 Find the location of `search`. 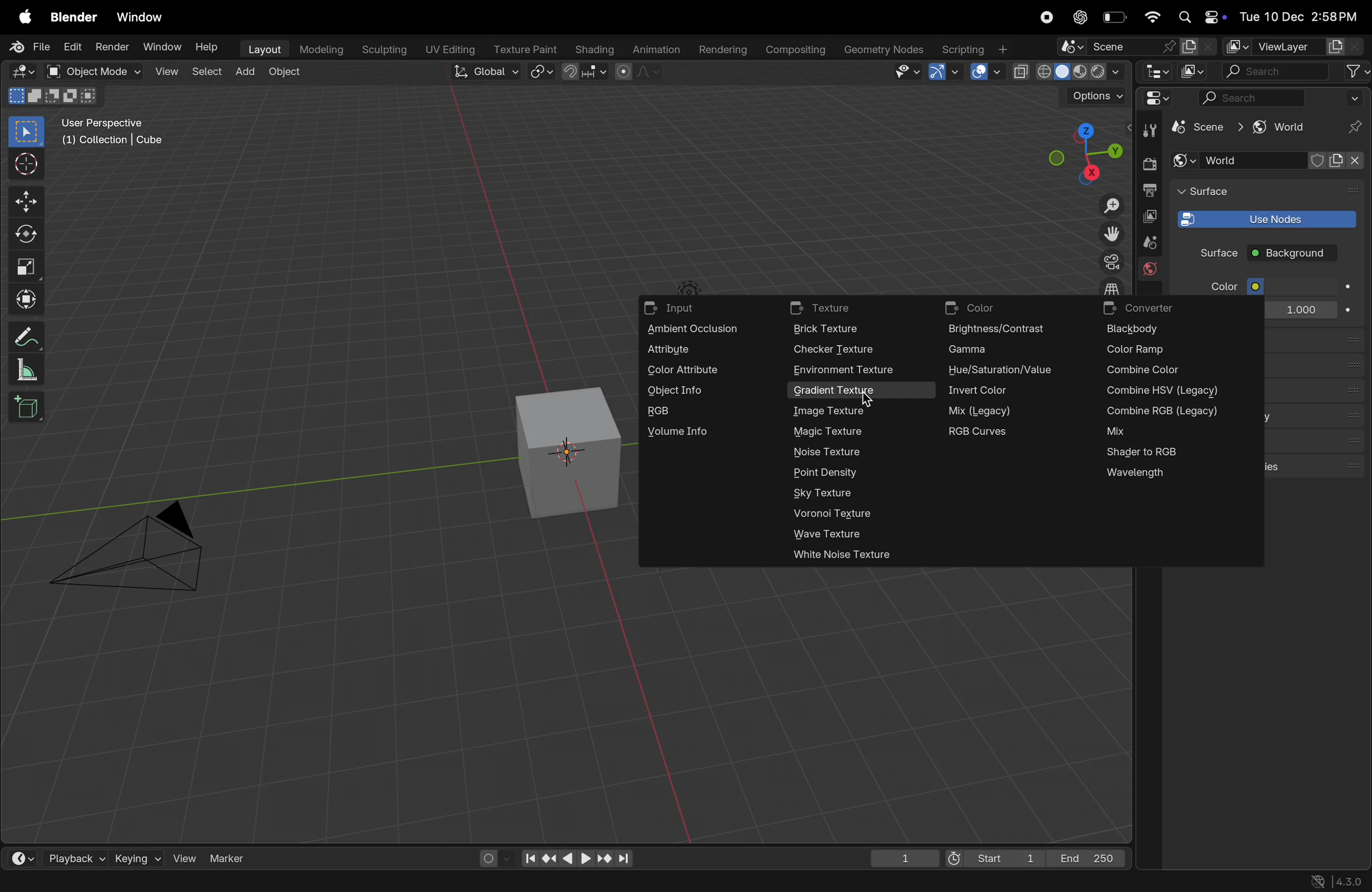

search is located at coordinates (1273, 71).